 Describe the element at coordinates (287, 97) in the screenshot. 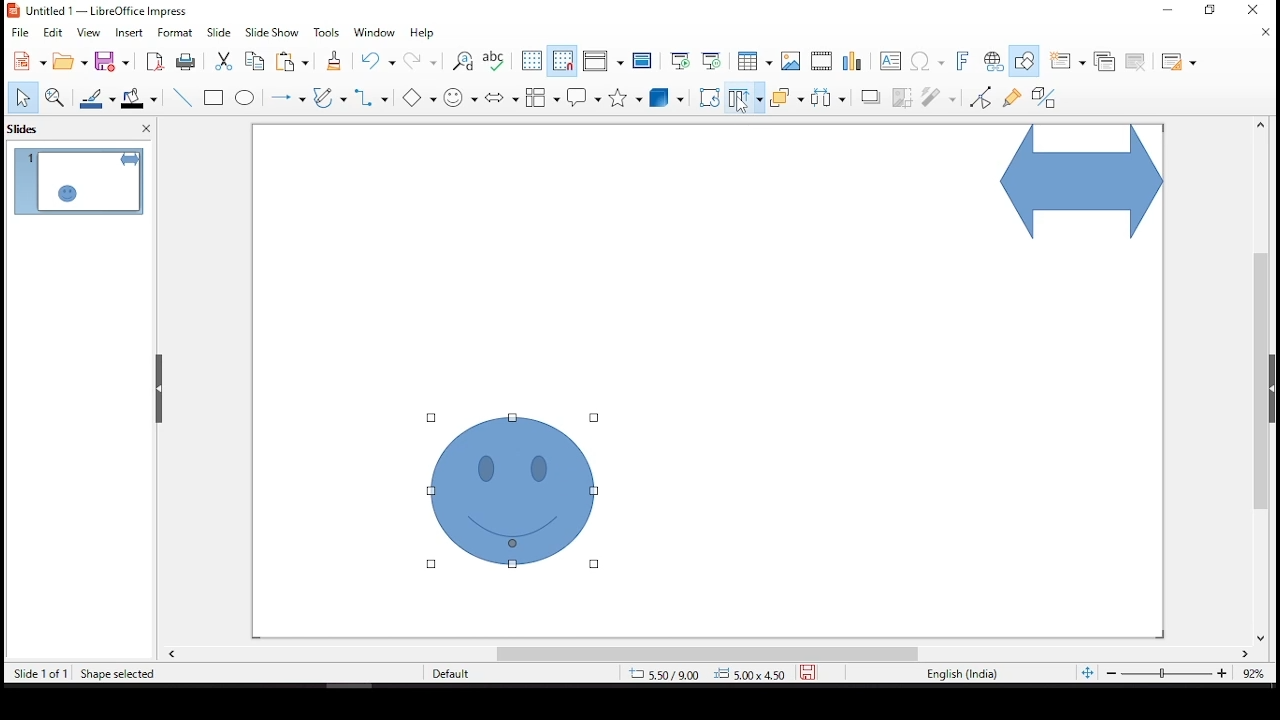

I see `lines and arrows` at that location.